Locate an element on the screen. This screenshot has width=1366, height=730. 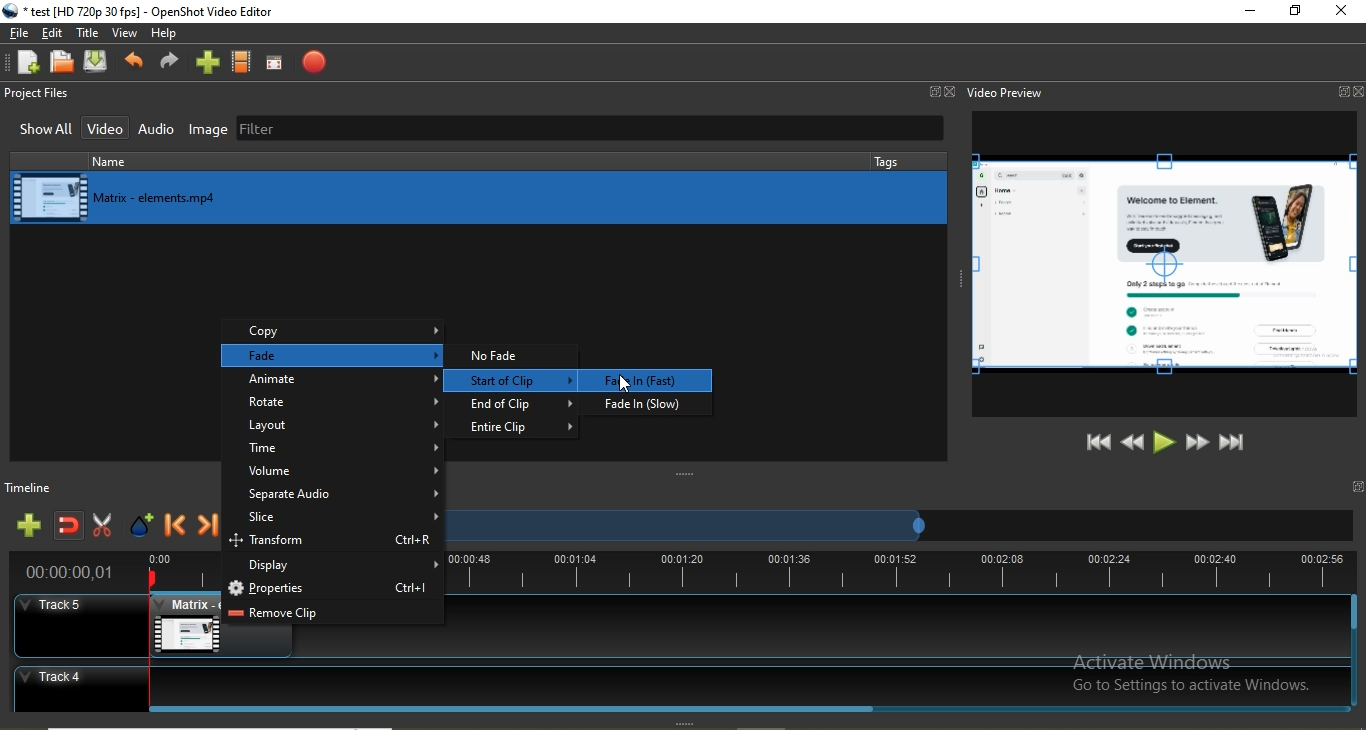
Next marker is located at coordinates (211, 529).